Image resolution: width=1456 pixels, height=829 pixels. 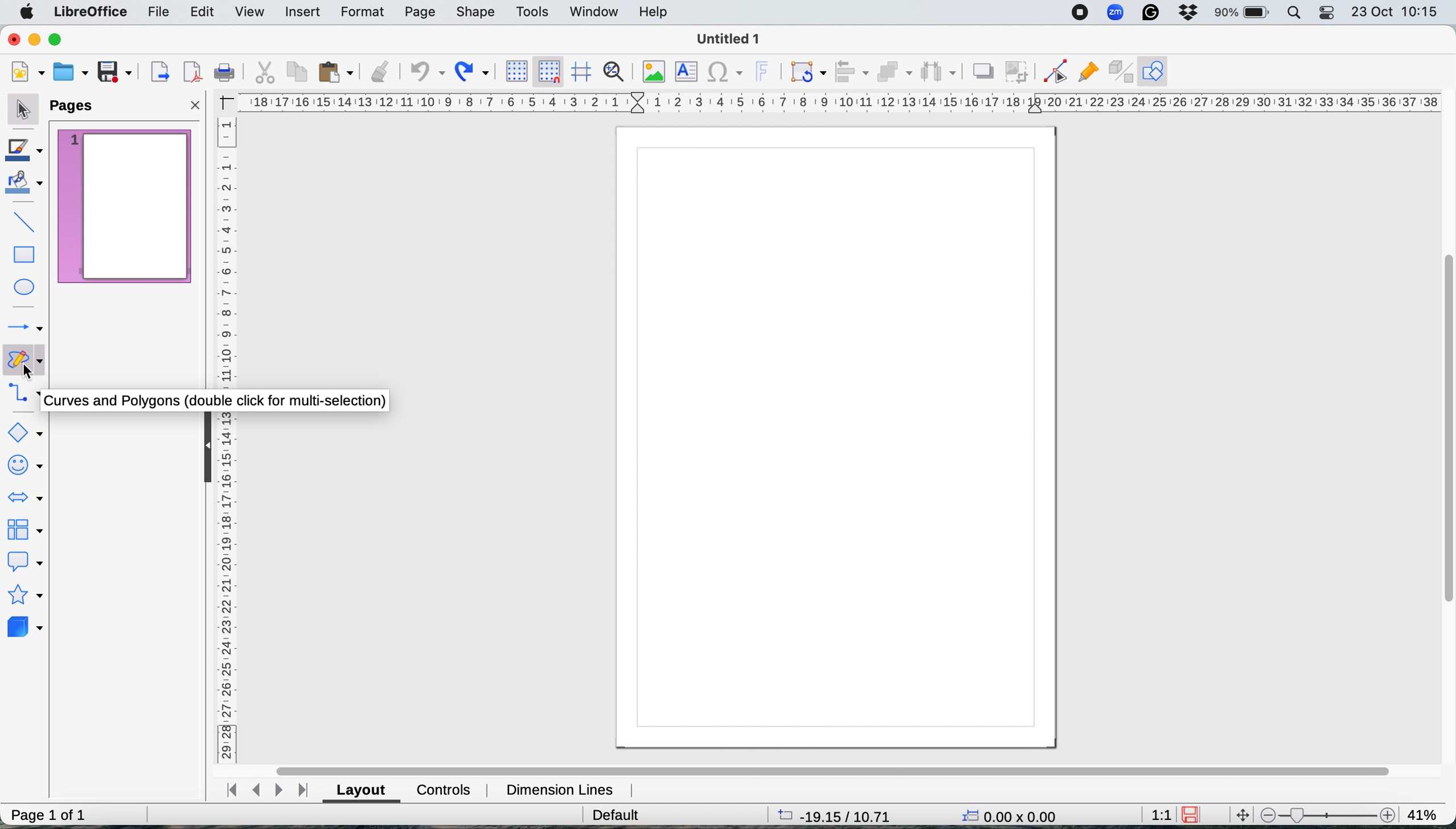 I want to click on save, so click(x=118, y=72).